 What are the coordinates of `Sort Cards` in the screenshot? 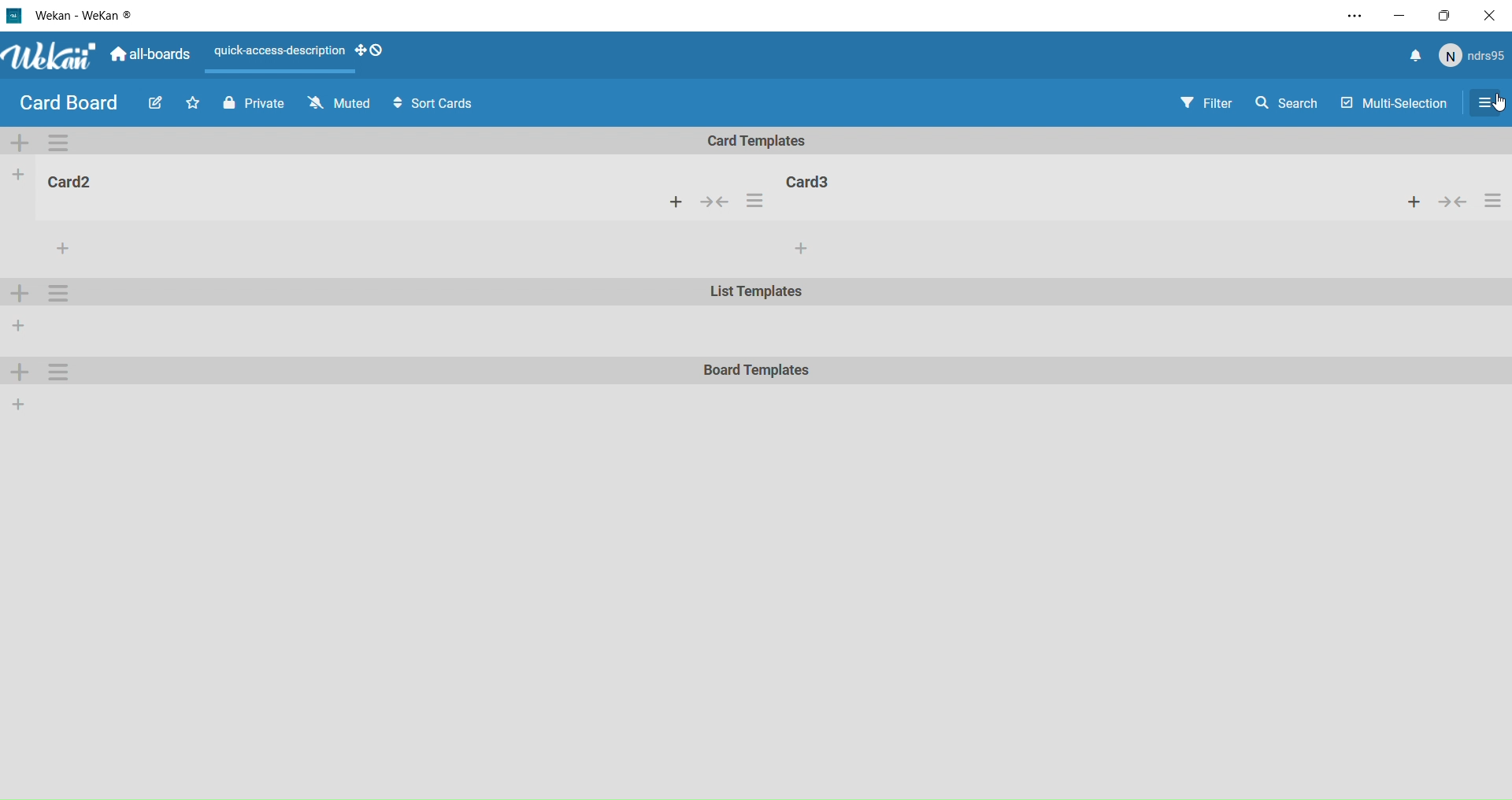 It's located at (440, 104).